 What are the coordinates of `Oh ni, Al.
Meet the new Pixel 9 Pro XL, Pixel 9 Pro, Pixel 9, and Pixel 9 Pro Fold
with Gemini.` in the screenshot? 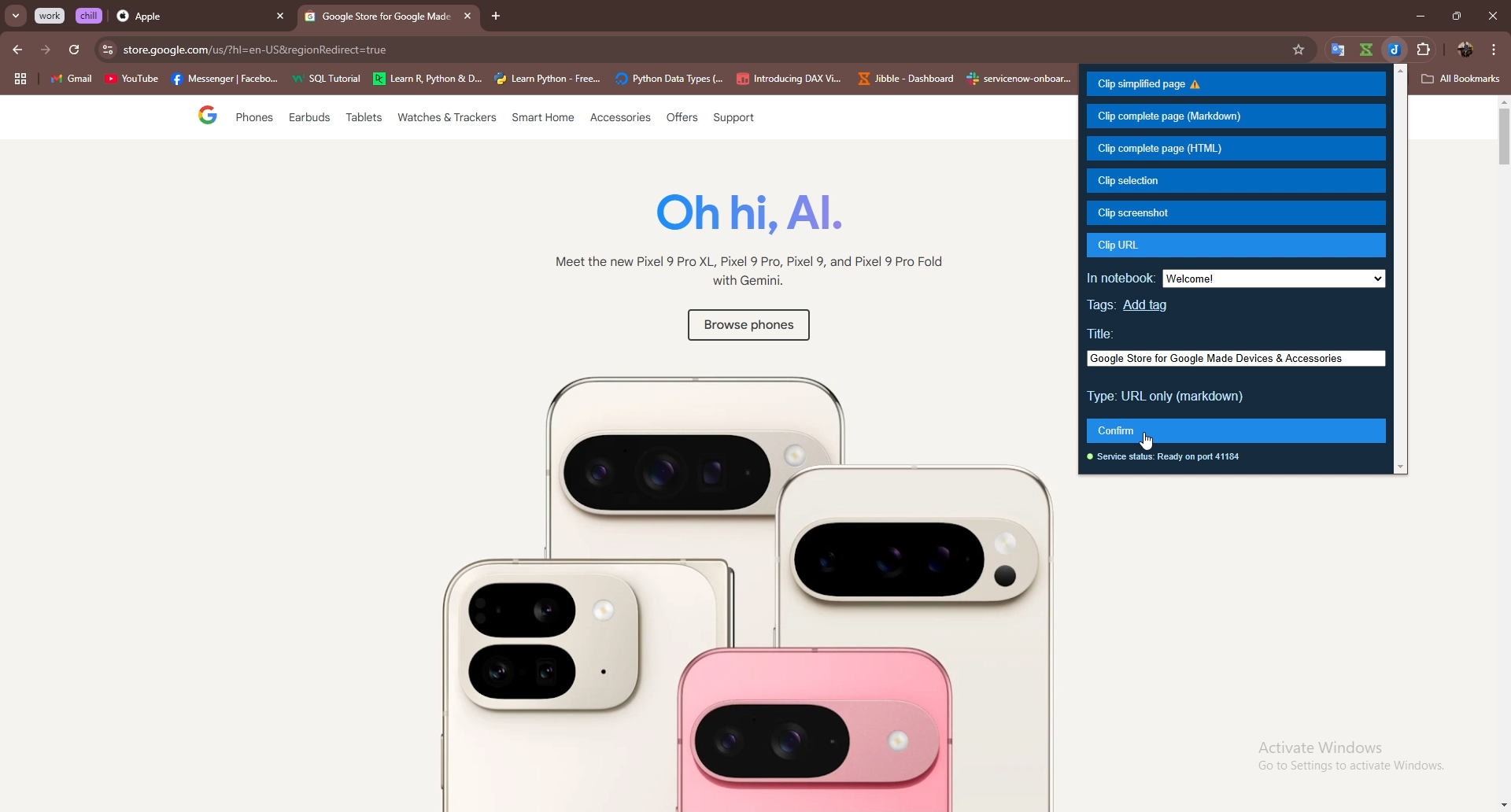 It's located at (740, 244).